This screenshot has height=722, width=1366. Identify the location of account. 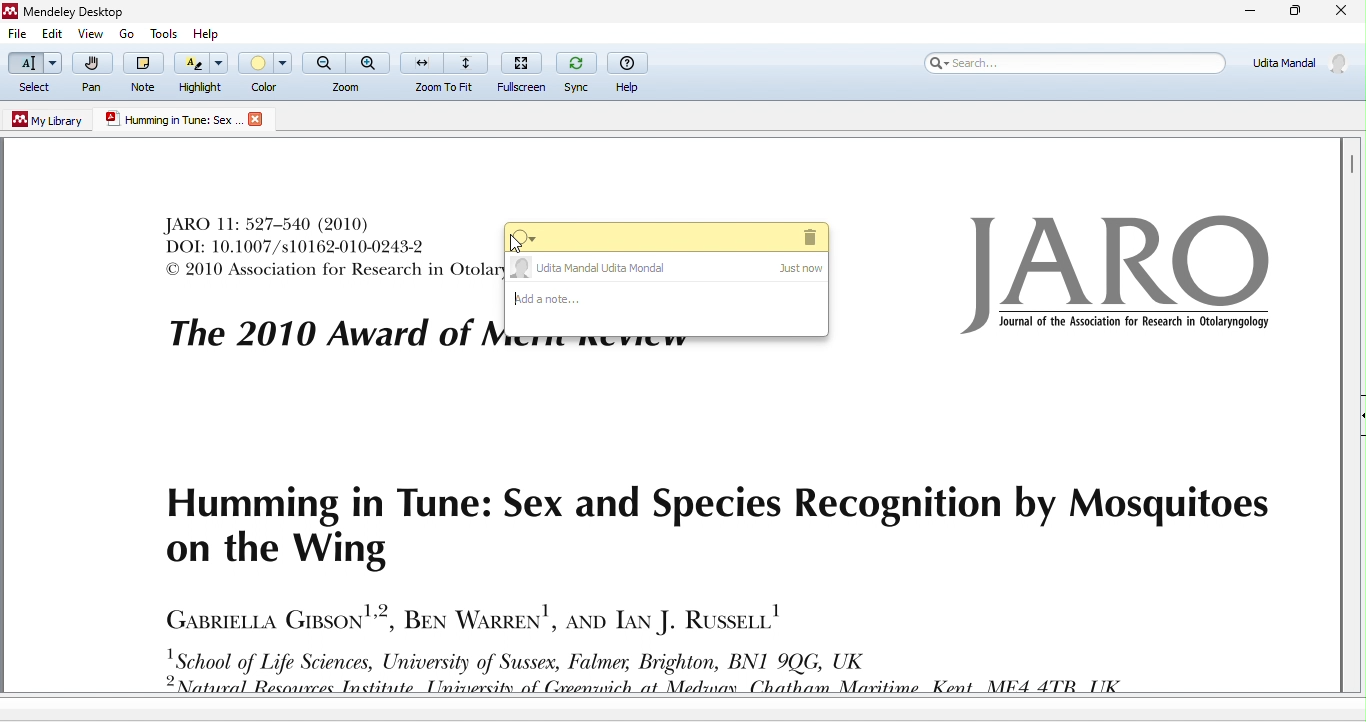
(1297, 66).